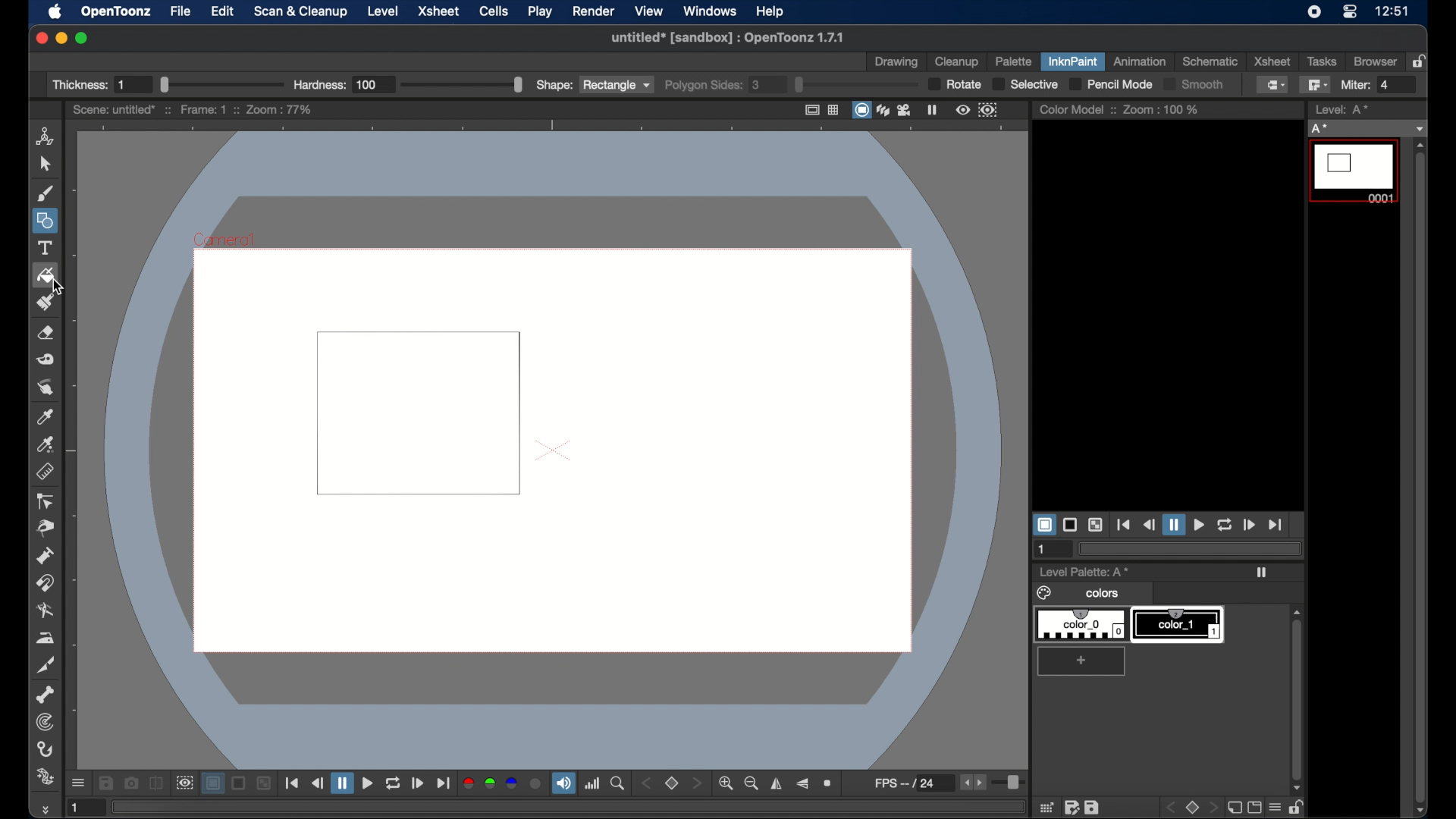  Describe the element at coordinates (1083, 625) in the screenshot. I see `color_0` at that location.